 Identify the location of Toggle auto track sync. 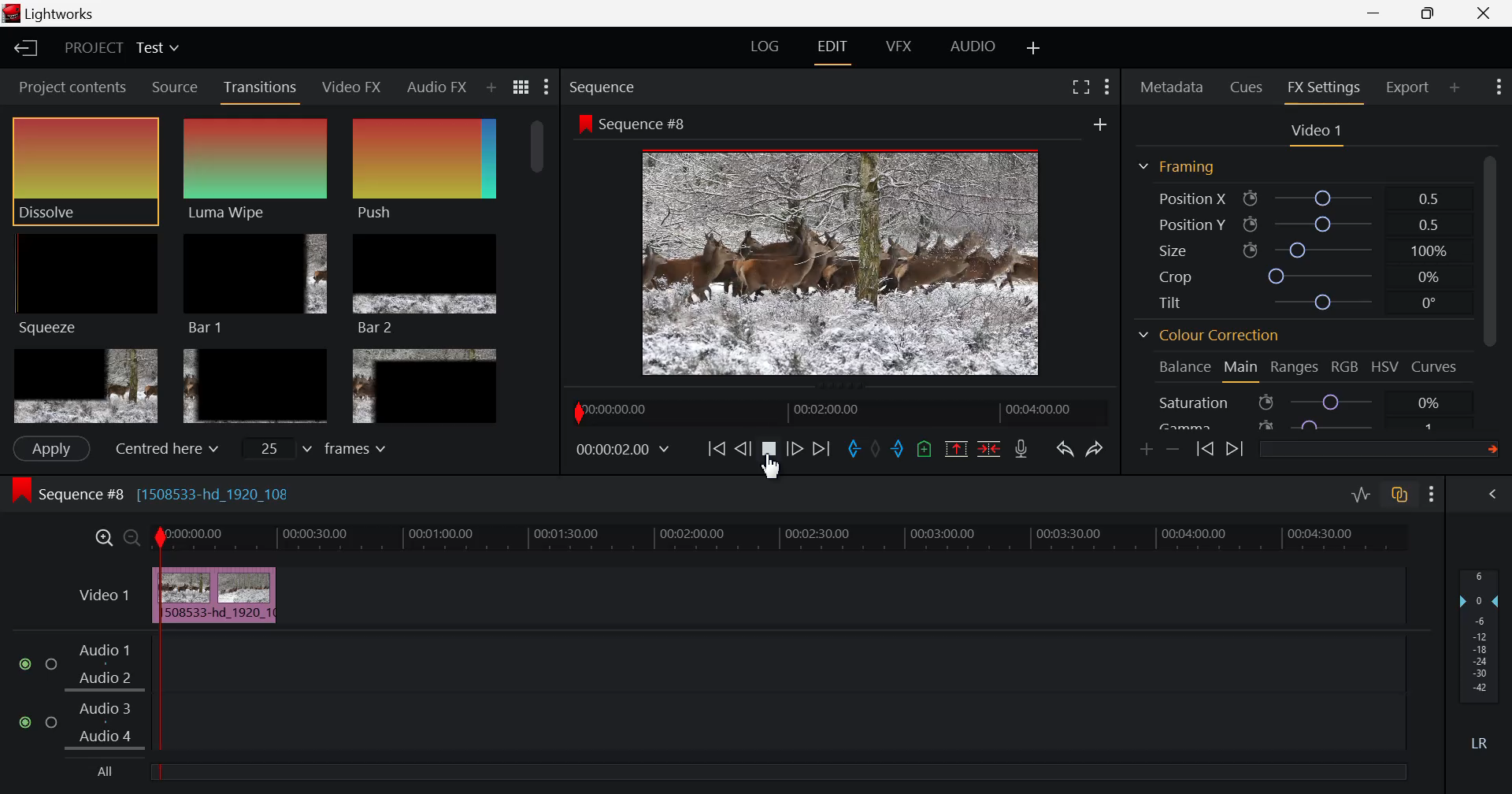
(1400, 495).